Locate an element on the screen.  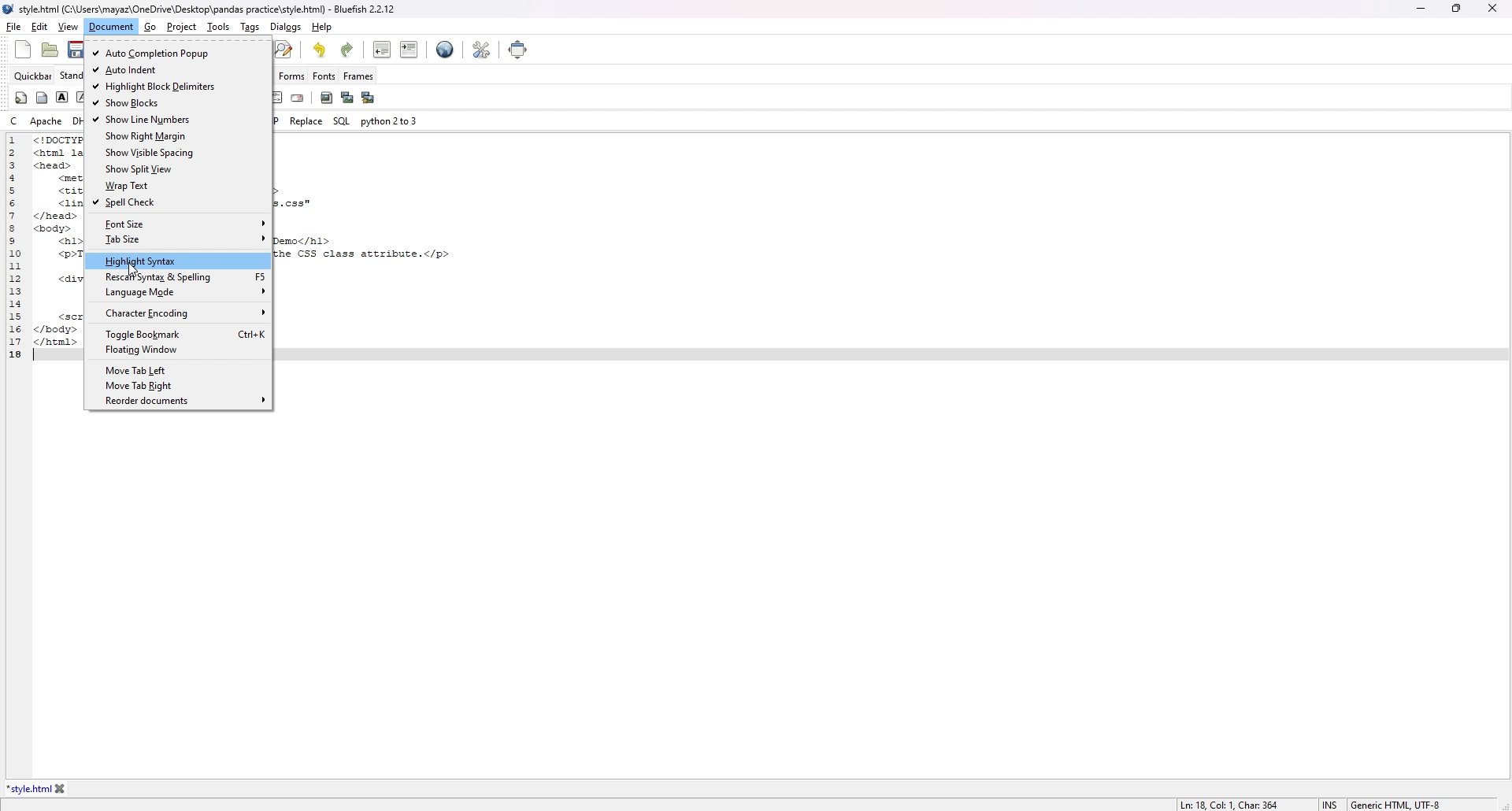
edit is located at coordinates (39, 27).